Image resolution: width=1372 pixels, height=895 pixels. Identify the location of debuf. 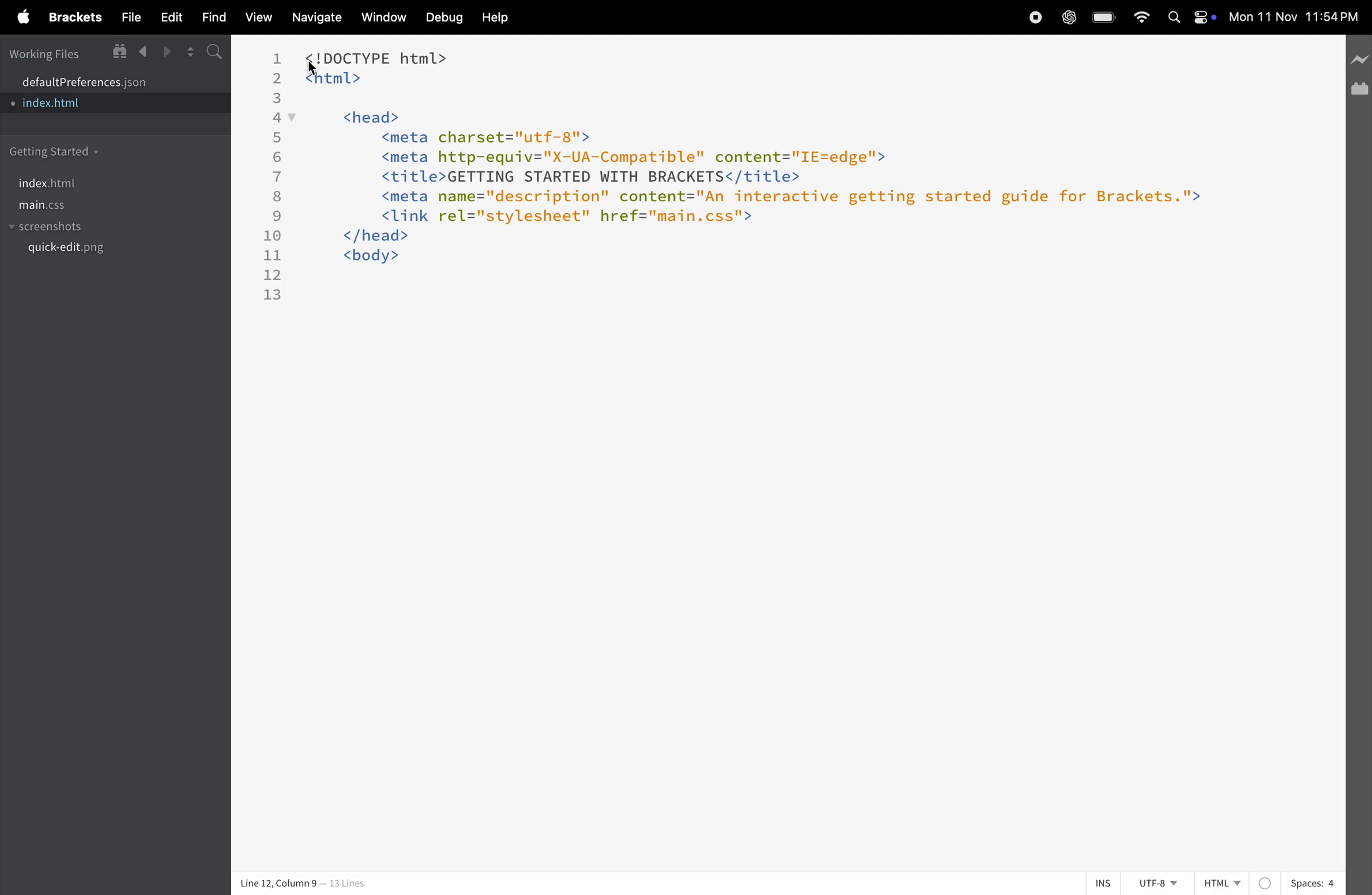
(444, 18).